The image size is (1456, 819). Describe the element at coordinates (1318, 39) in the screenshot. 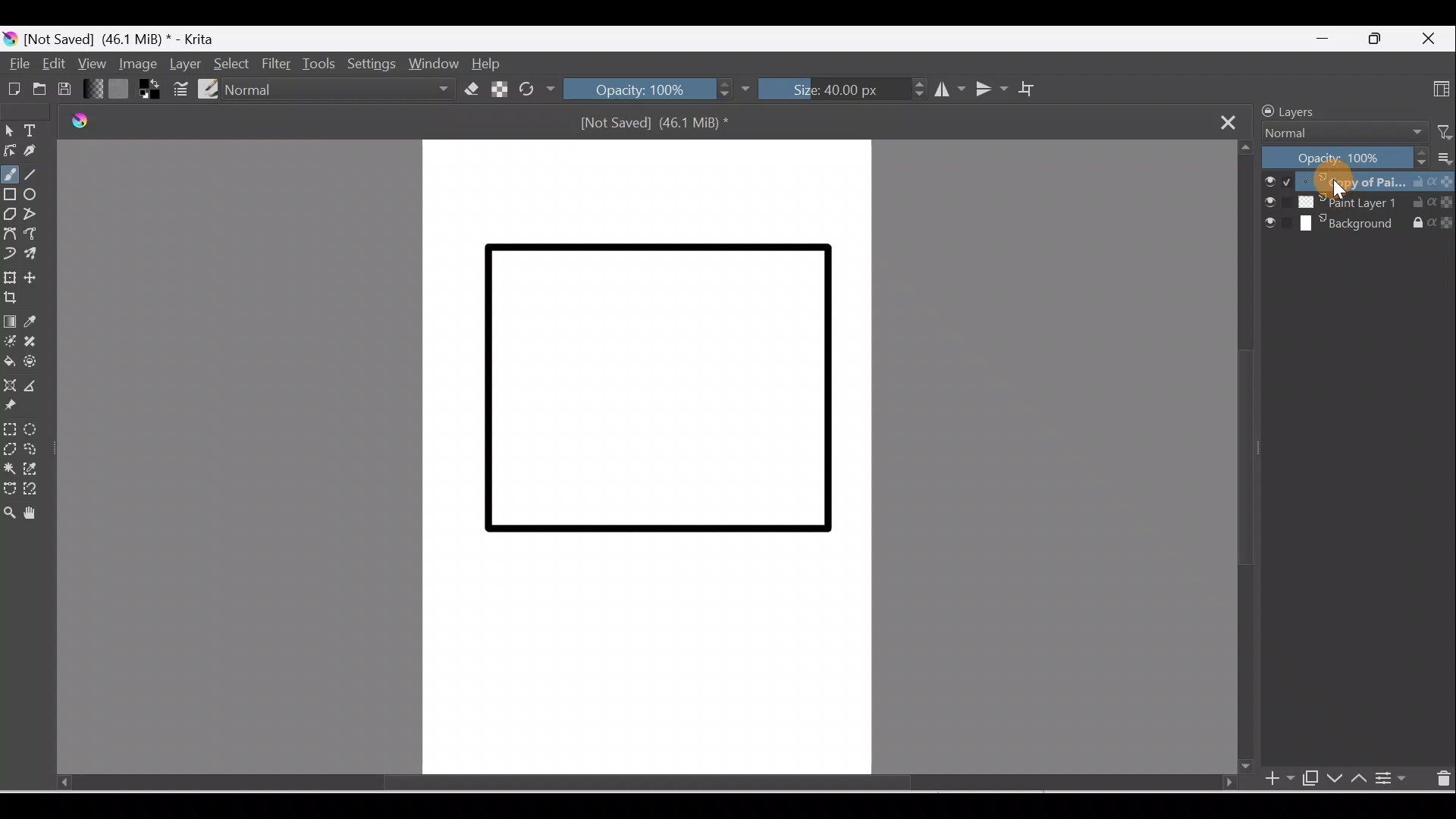

I see `Minimize` at that location.